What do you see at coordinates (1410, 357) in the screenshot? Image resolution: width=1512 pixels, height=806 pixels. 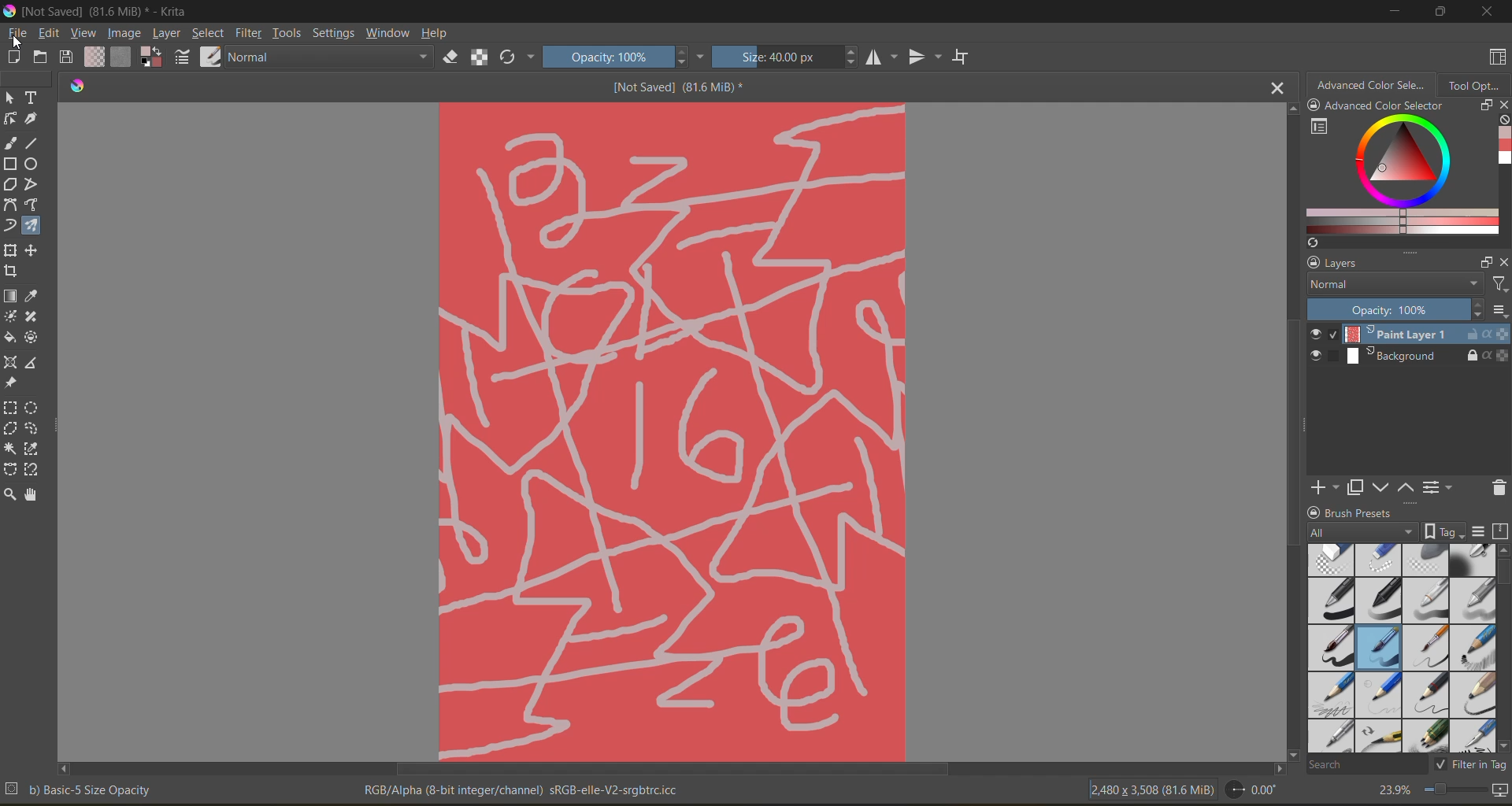 I see `layer` at bounding box center [1410, 357].